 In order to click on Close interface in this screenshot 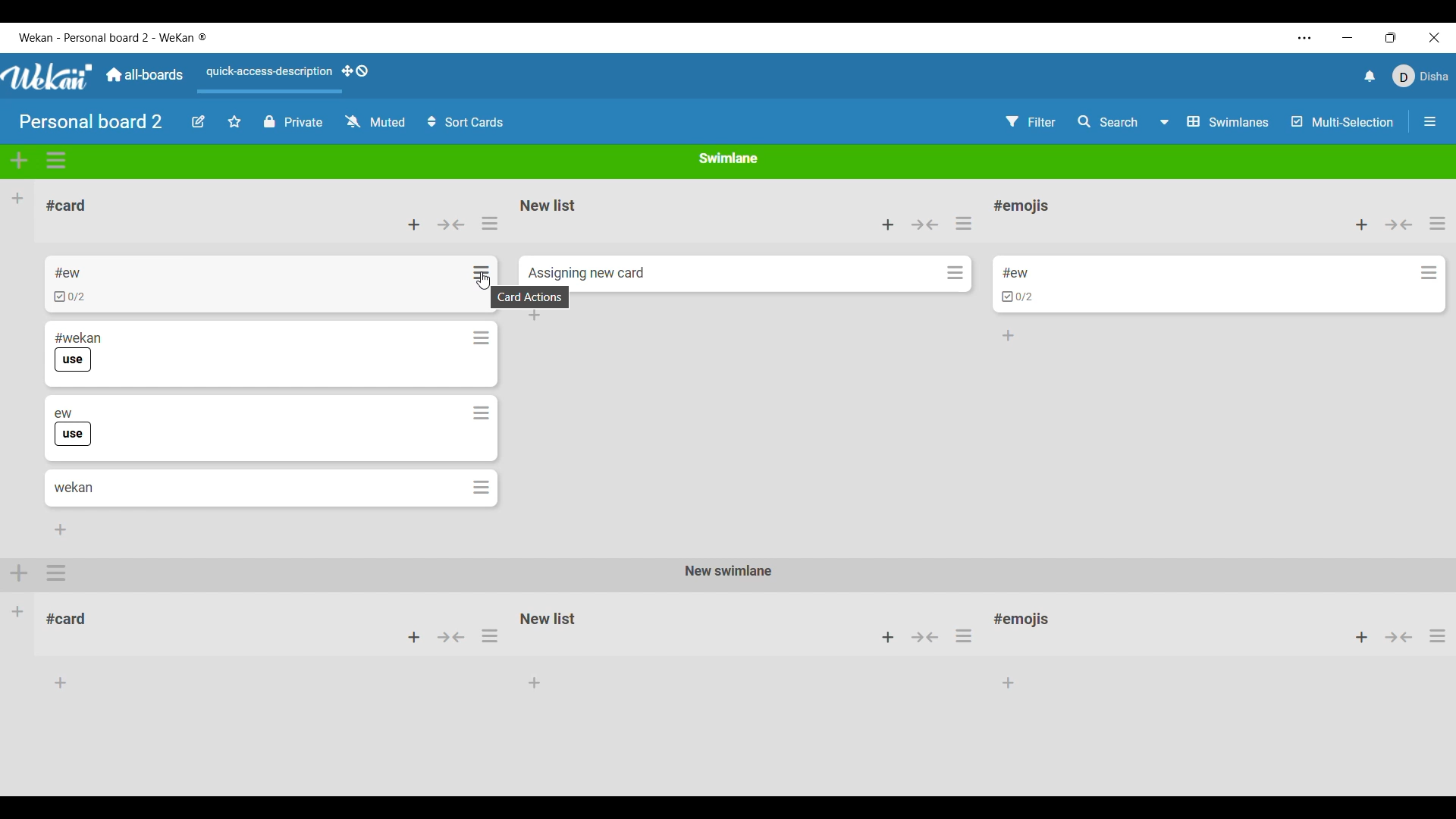, I will do `click(1435, 37)`.